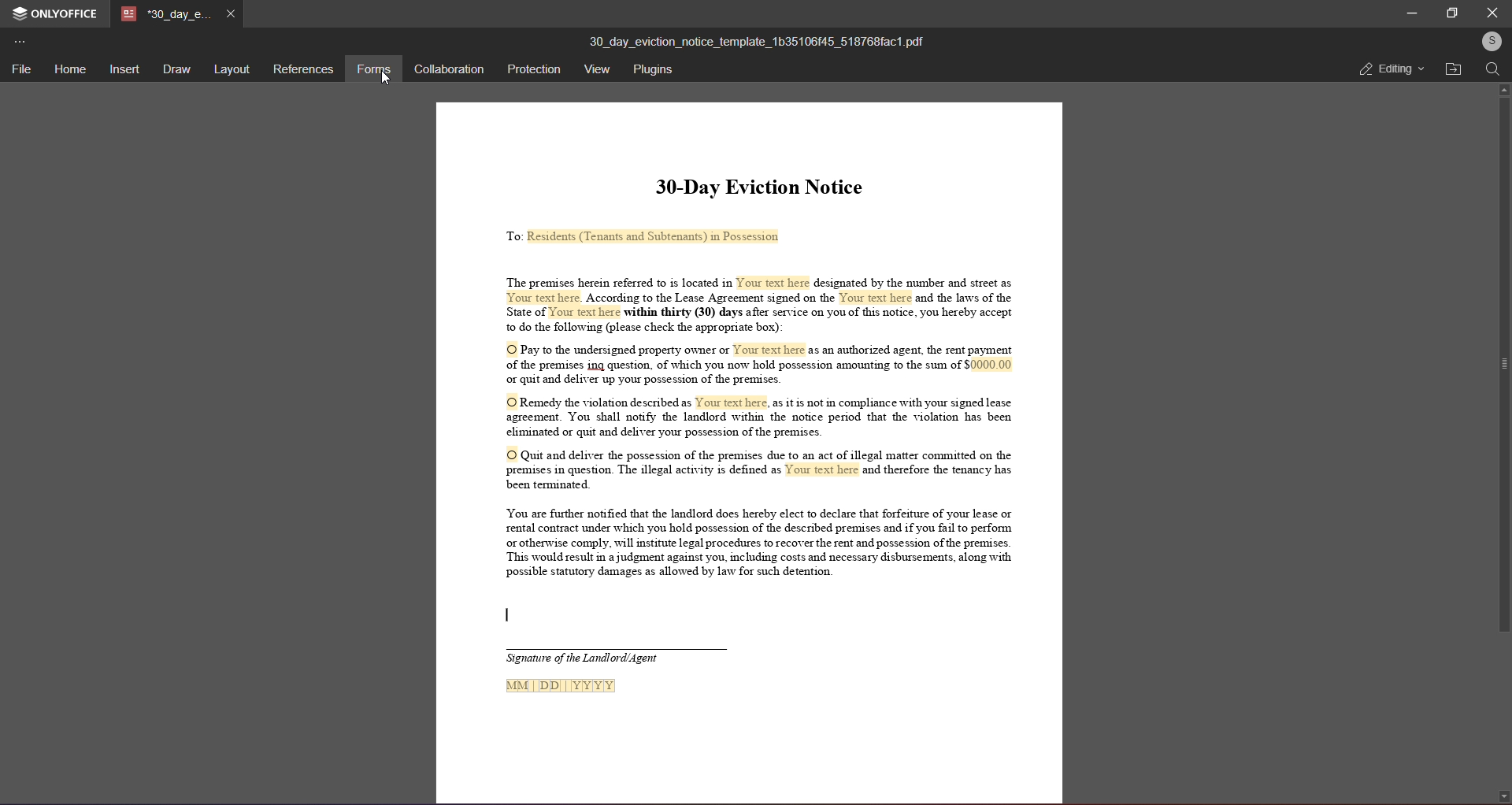 The width and height of the screenshot is (1512, 805). Describe the element at coordinates (1491, 41) in the screenshot. I see `user` at that location.